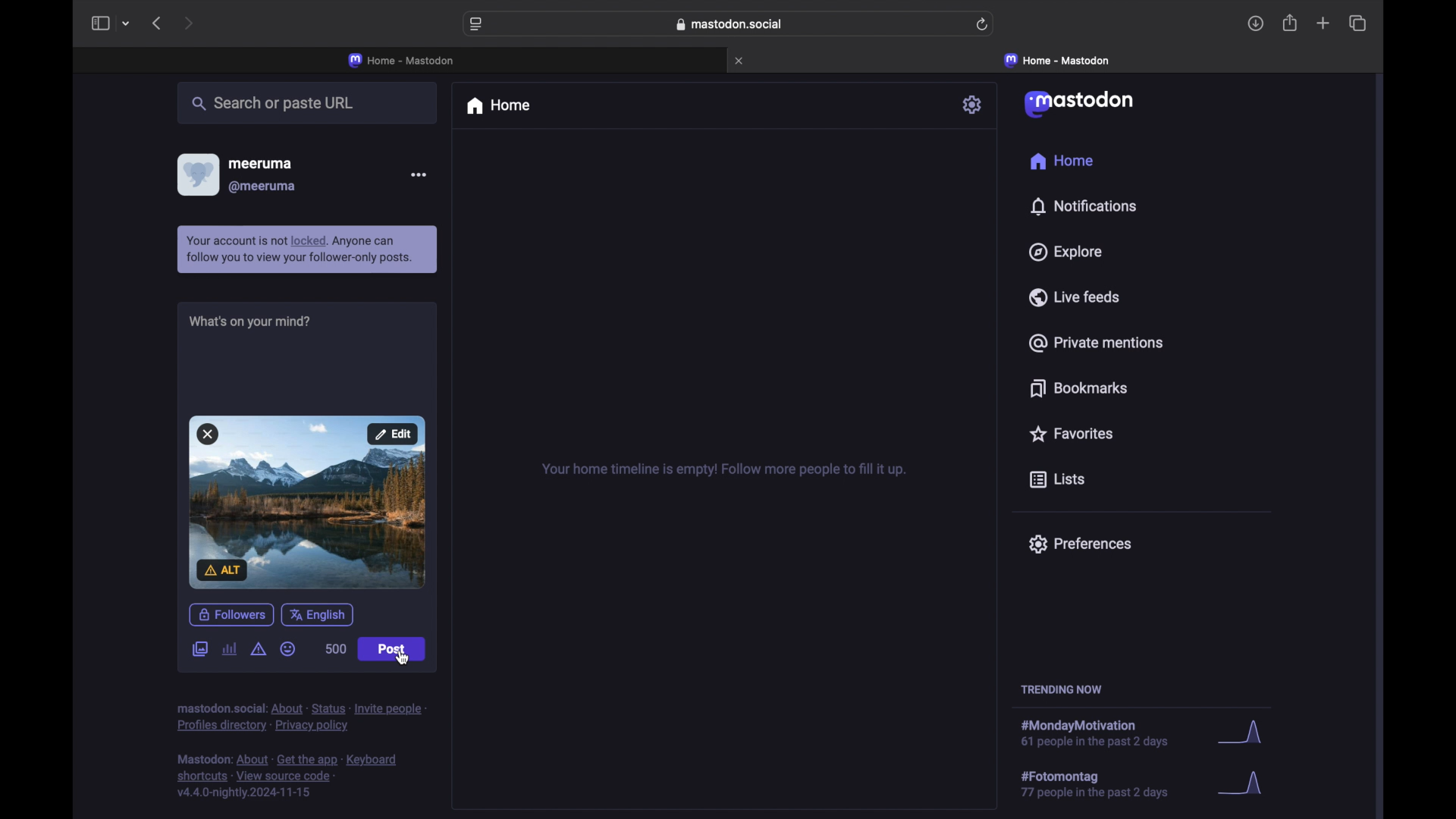  I want to click on post, so click(392, 649).